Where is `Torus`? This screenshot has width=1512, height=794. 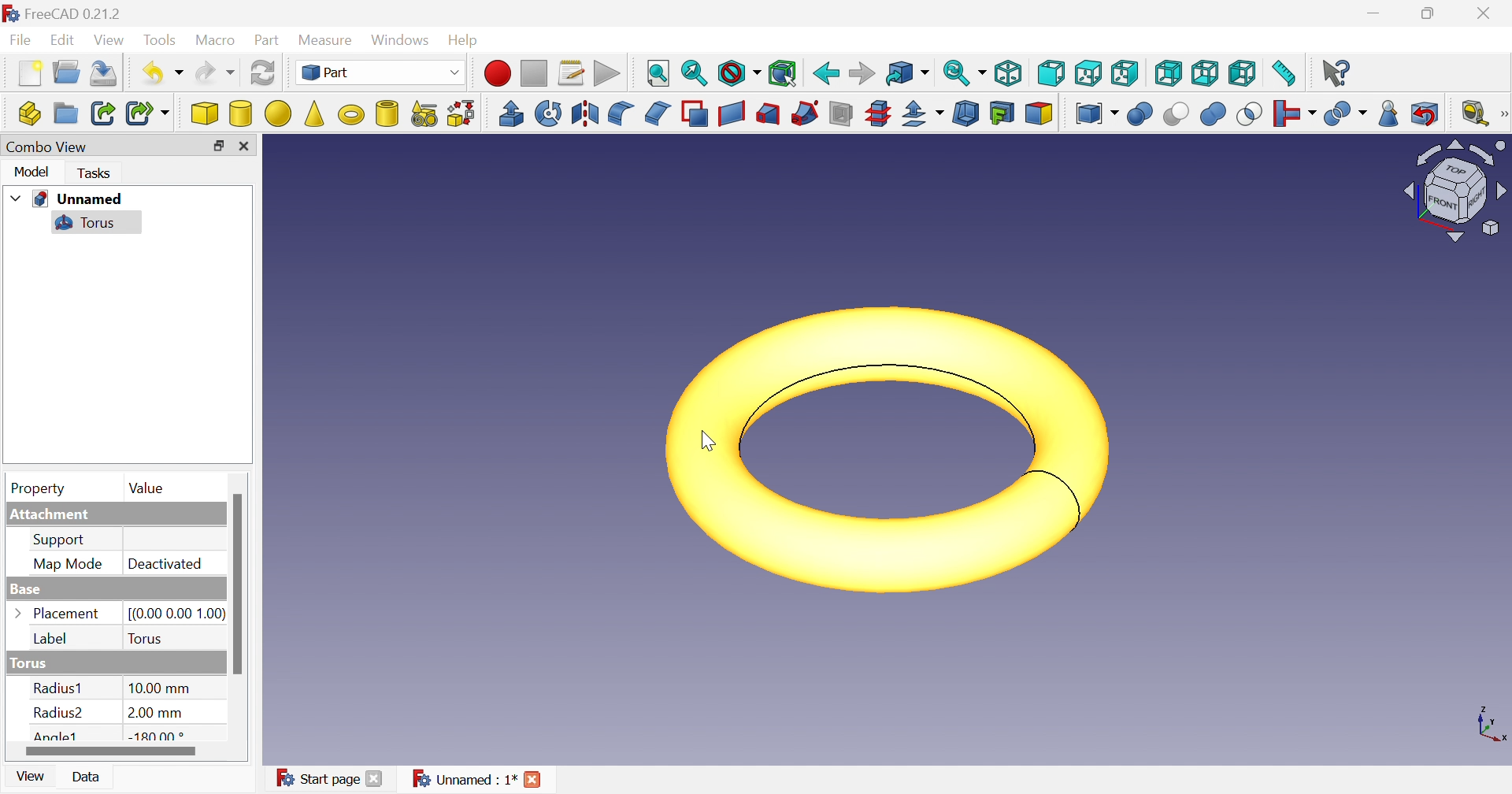 Torus is located at coordinates (880, 451).